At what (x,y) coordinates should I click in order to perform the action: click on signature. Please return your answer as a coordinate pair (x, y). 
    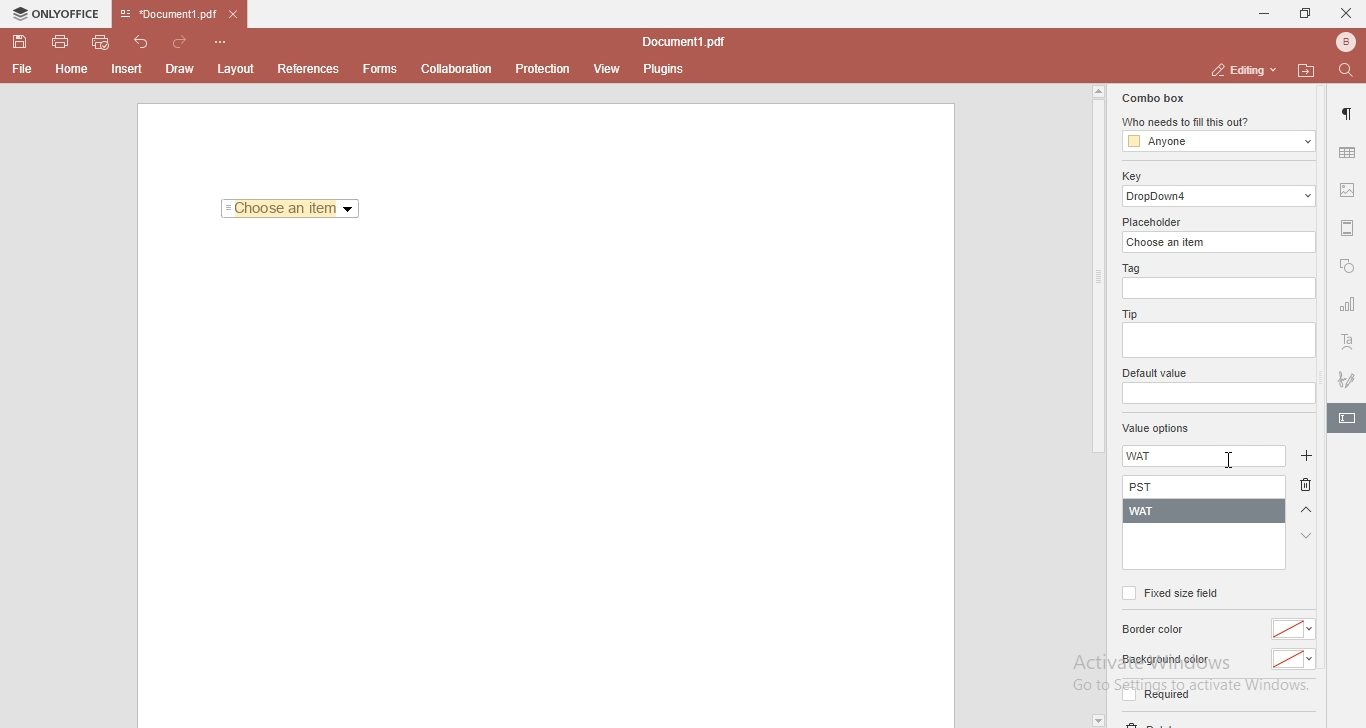
    Looking at the image, I should click on (1348, 376).